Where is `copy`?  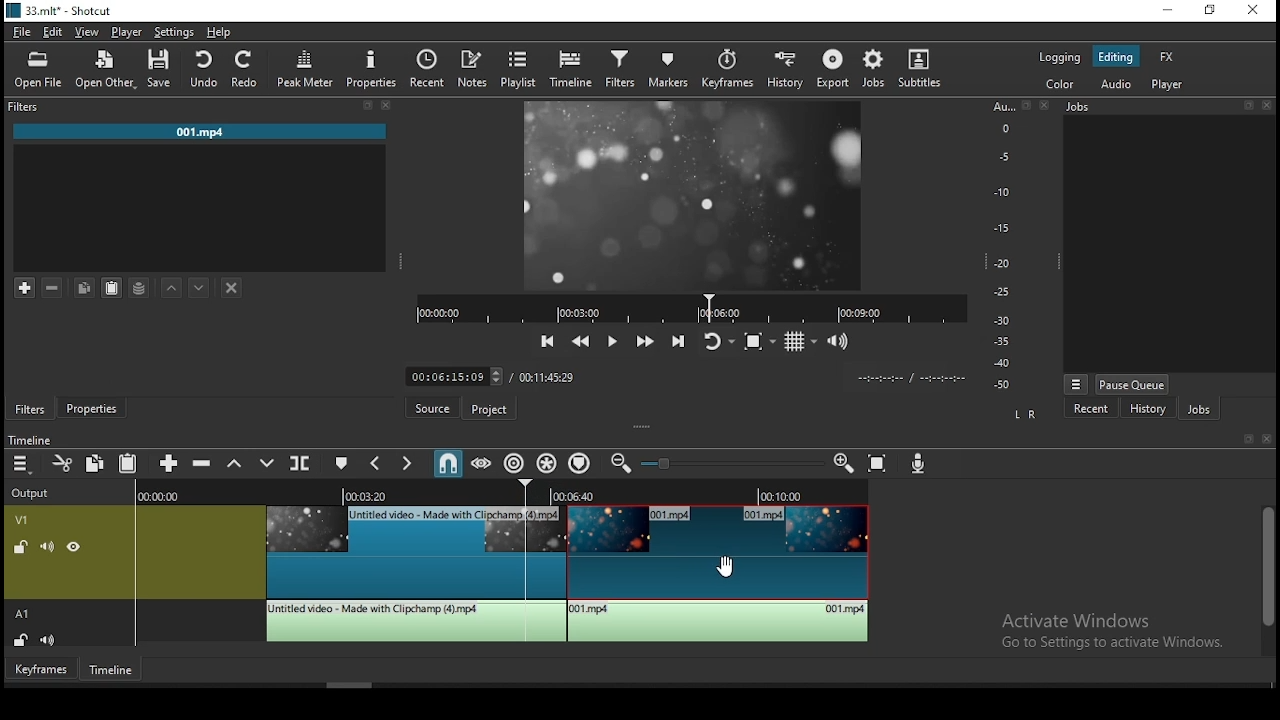 copy is located at coordinates (99, 463).